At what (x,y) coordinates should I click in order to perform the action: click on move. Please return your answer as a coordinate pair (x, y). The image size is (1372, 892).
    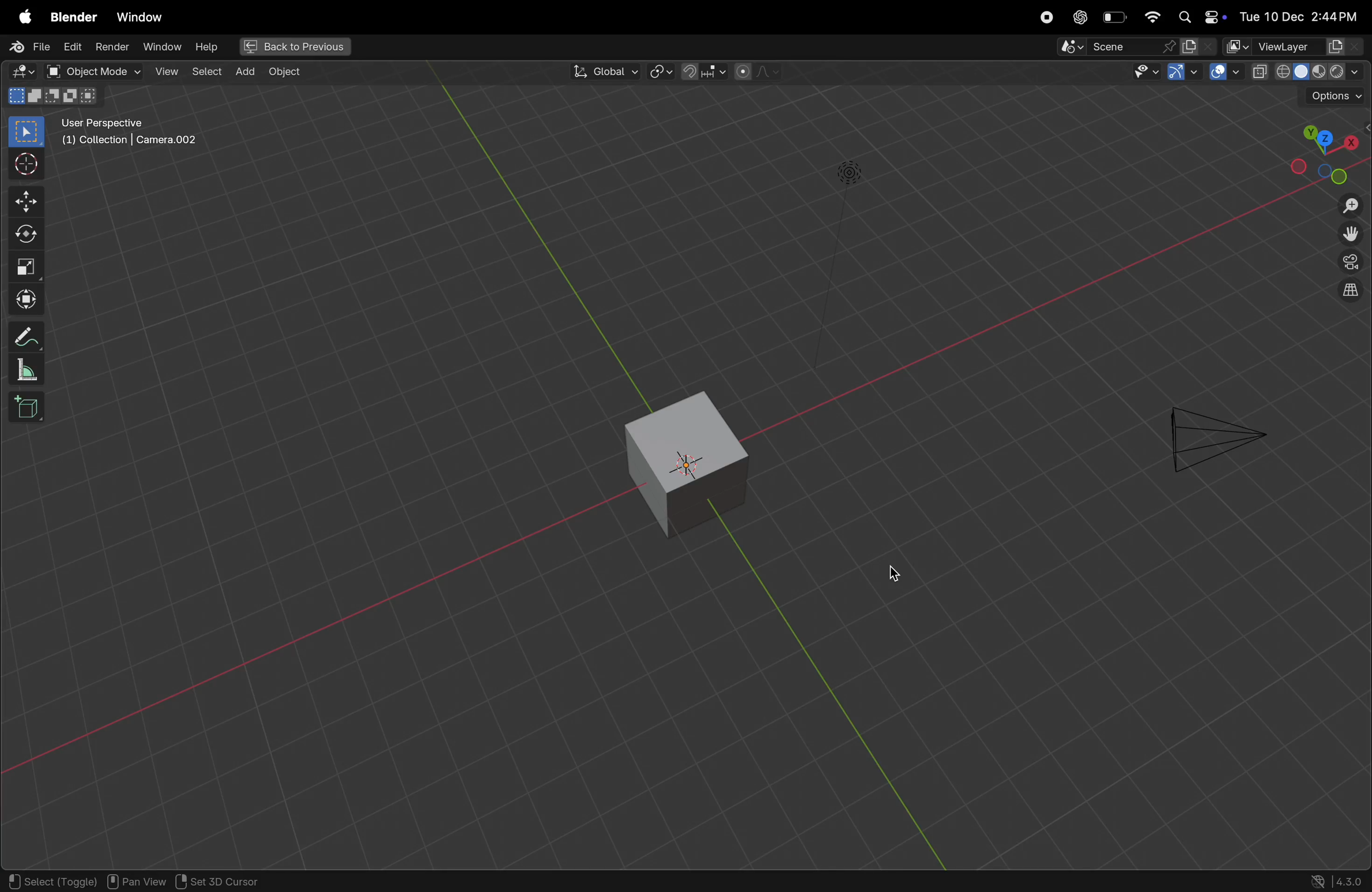
    Looking at the image, I should click on (22, 199).